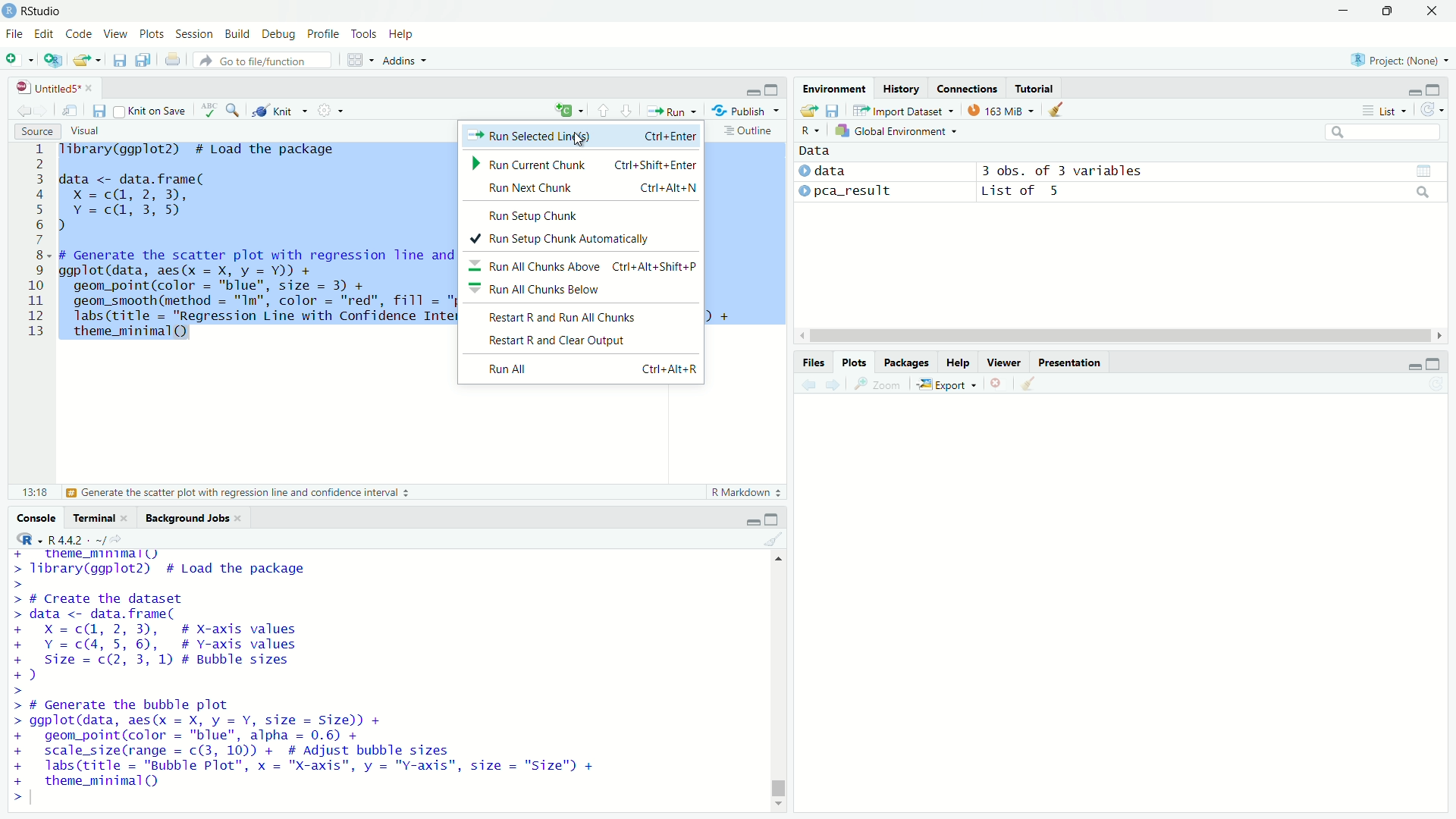  Describe the element at coordinates (1433, 89) in the screenshot. I see `expand` at that location.